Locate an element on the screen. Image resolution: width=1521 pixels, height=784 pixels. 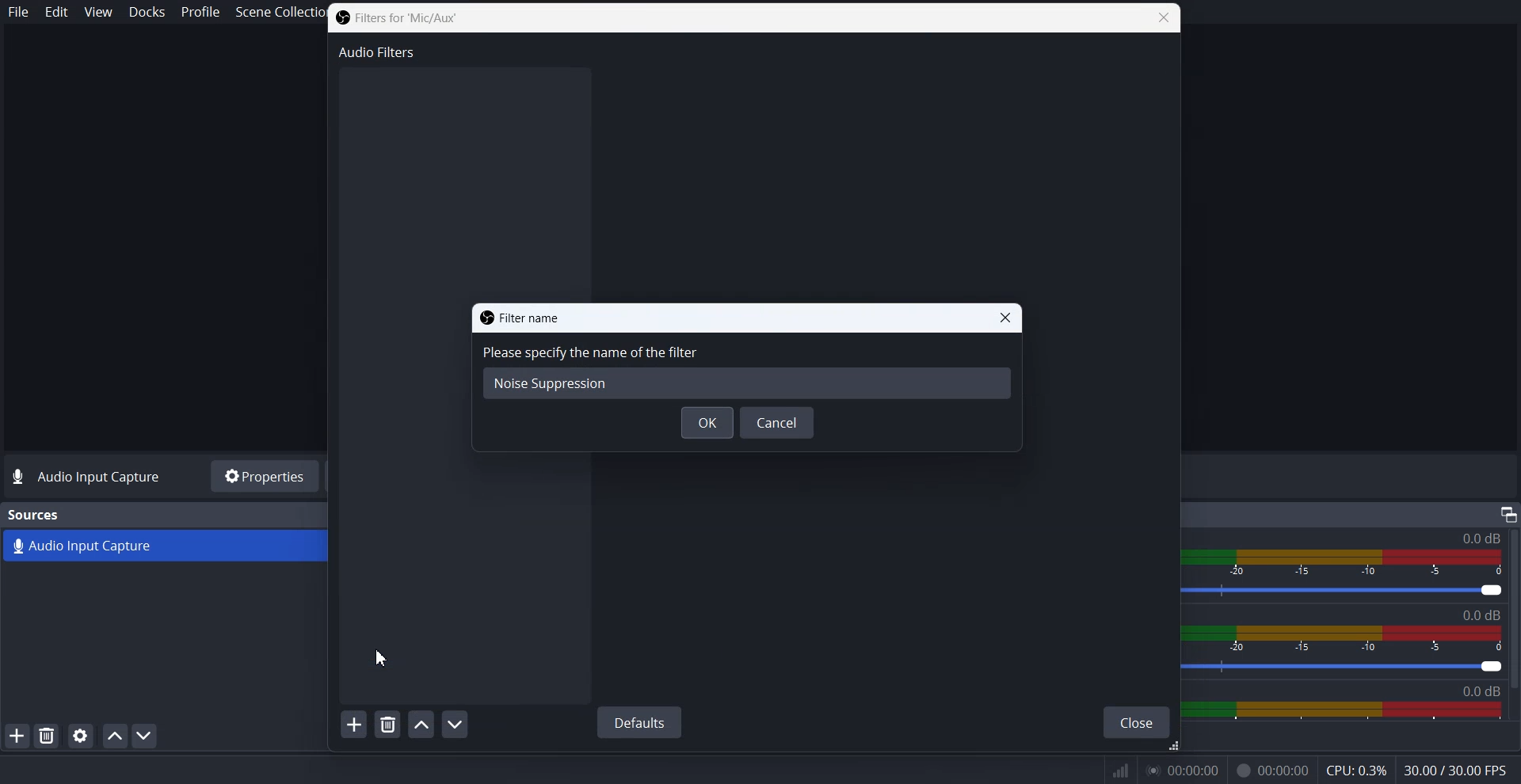
Audio Input capture is located at coordinates (1480, 539).